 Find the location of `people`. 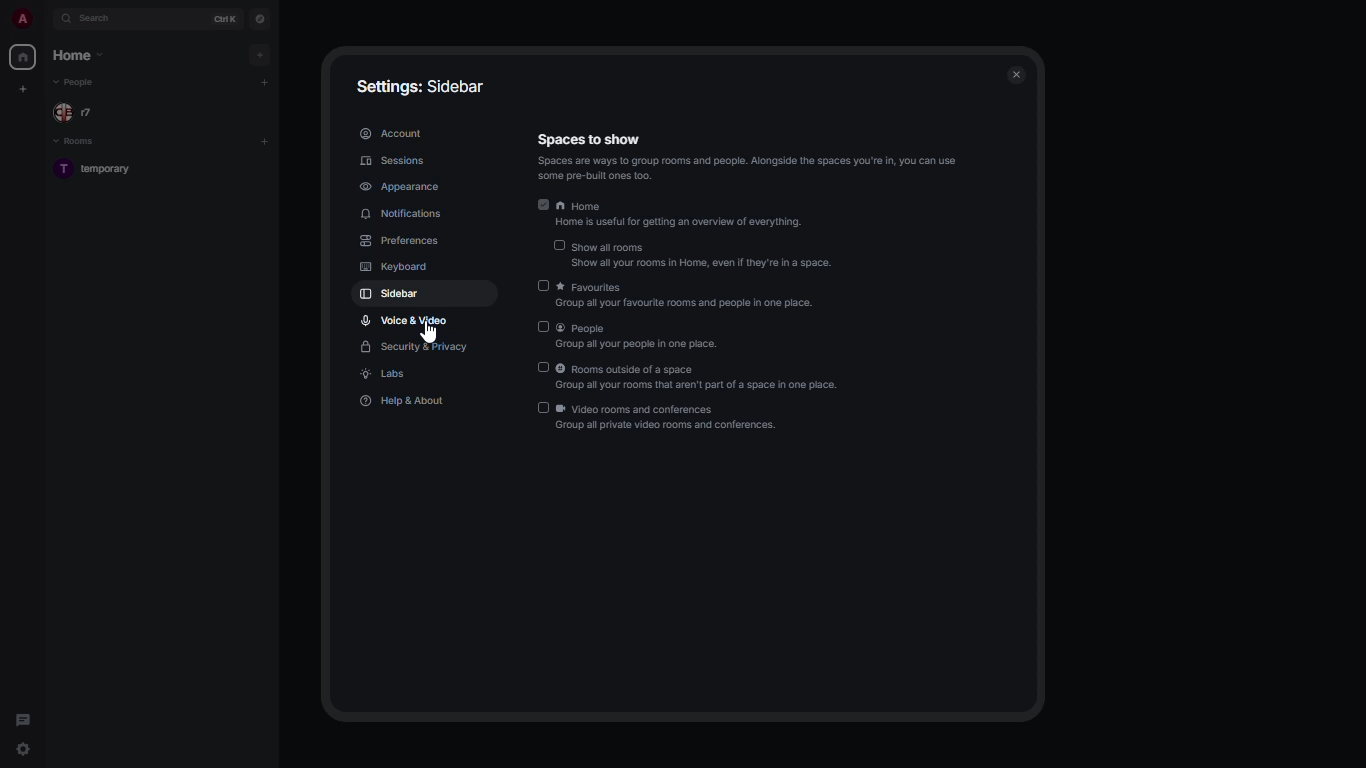

people is located at coordinates (82, 113).